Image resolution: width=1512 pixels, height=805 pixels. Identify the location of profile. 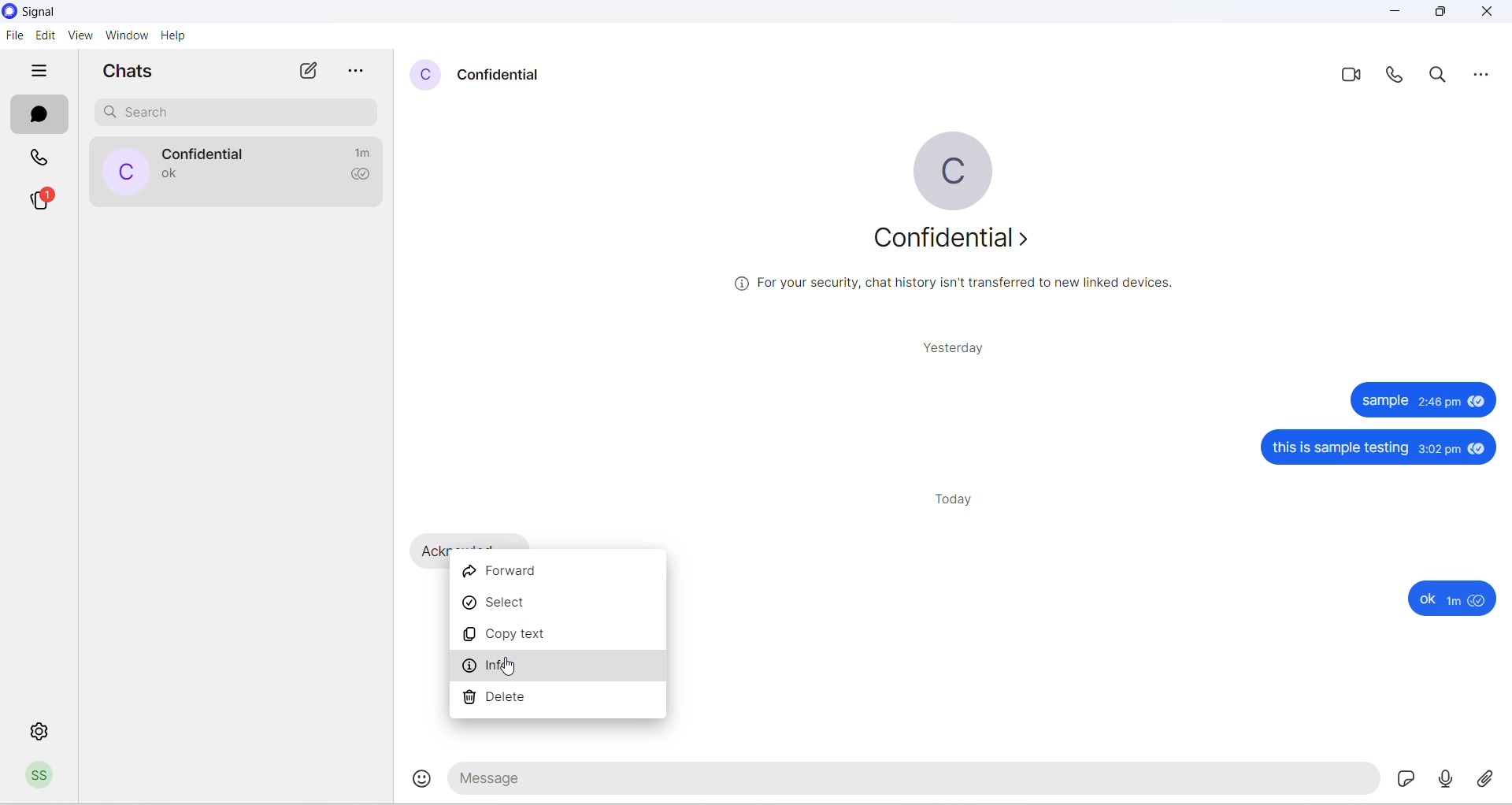
(40, 777).